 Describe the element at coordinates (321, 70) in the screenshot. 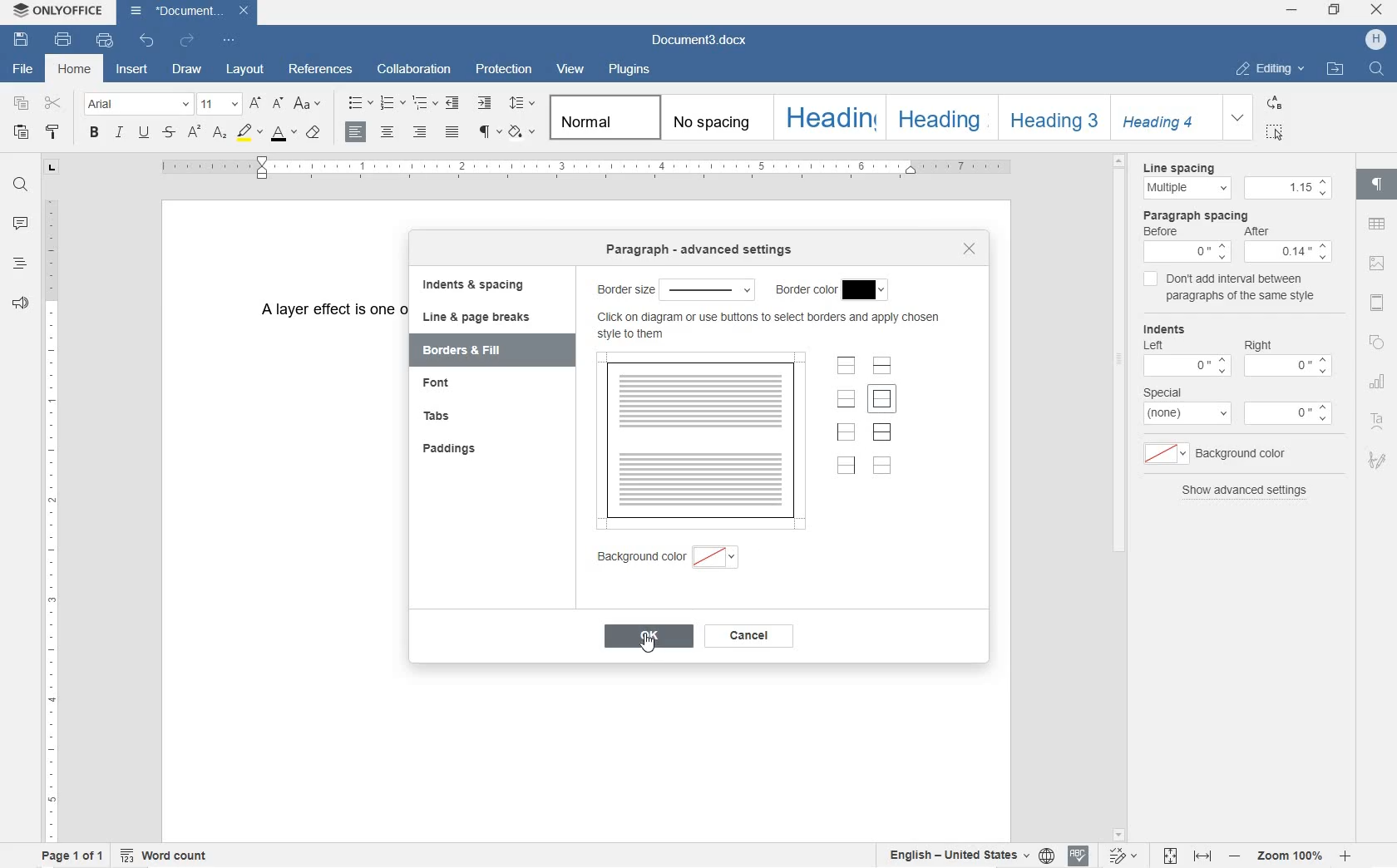

I see `REFERENCES` at that location.